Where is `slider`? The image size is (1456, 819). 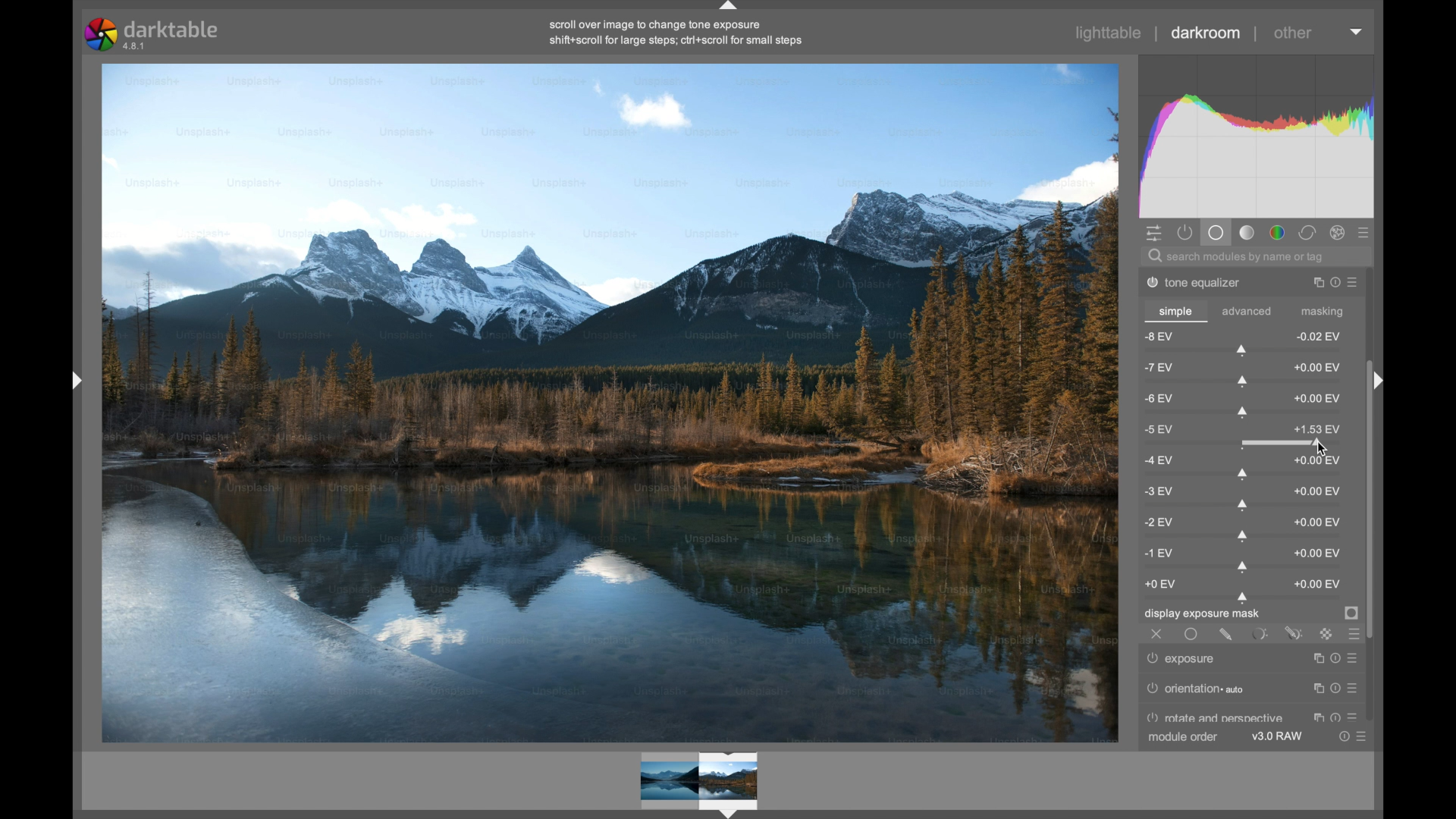
slider is located at coordinates (1241, 350).